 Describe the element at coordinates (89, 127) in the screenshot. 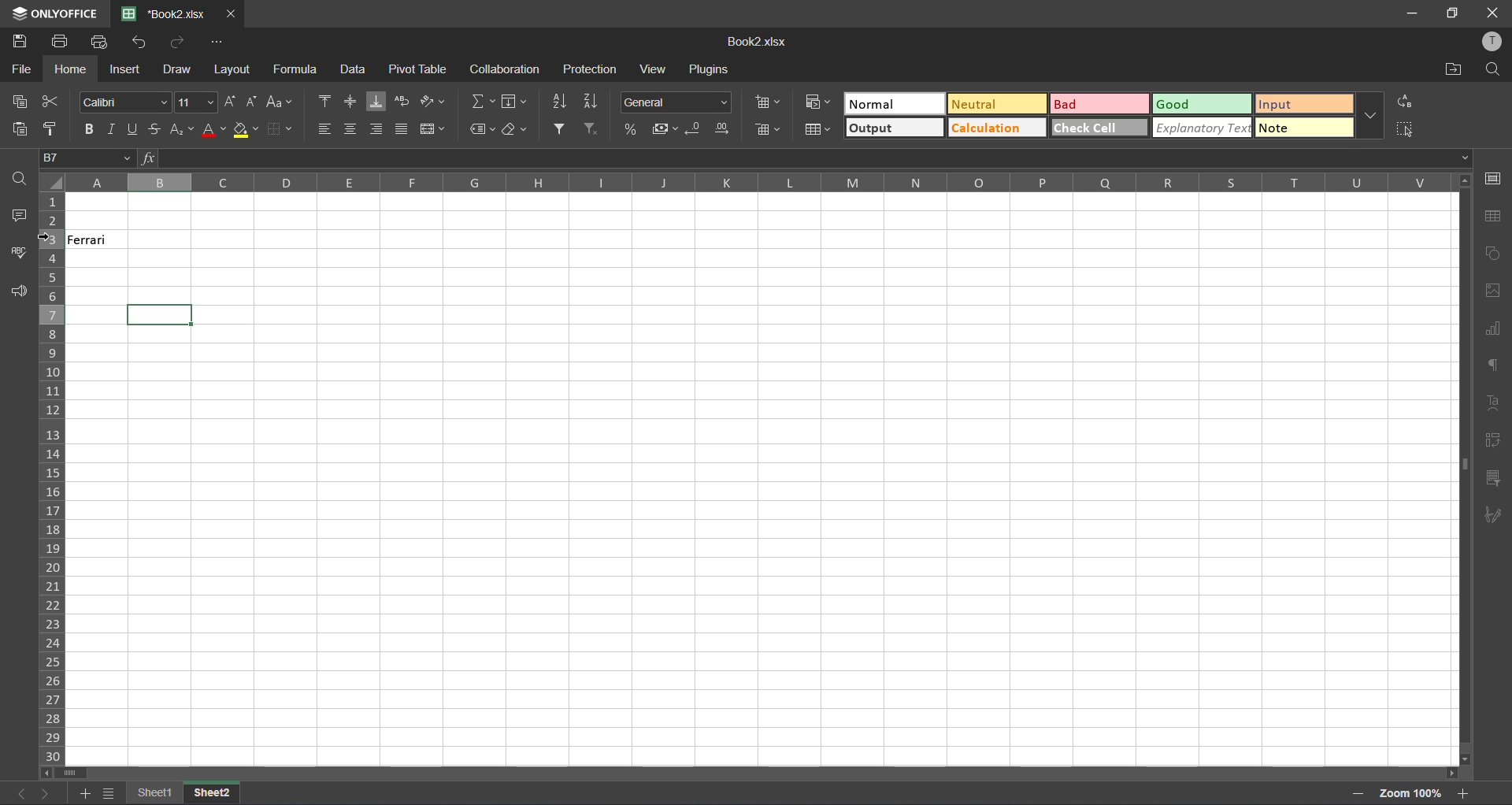

I see `bold` at that location.